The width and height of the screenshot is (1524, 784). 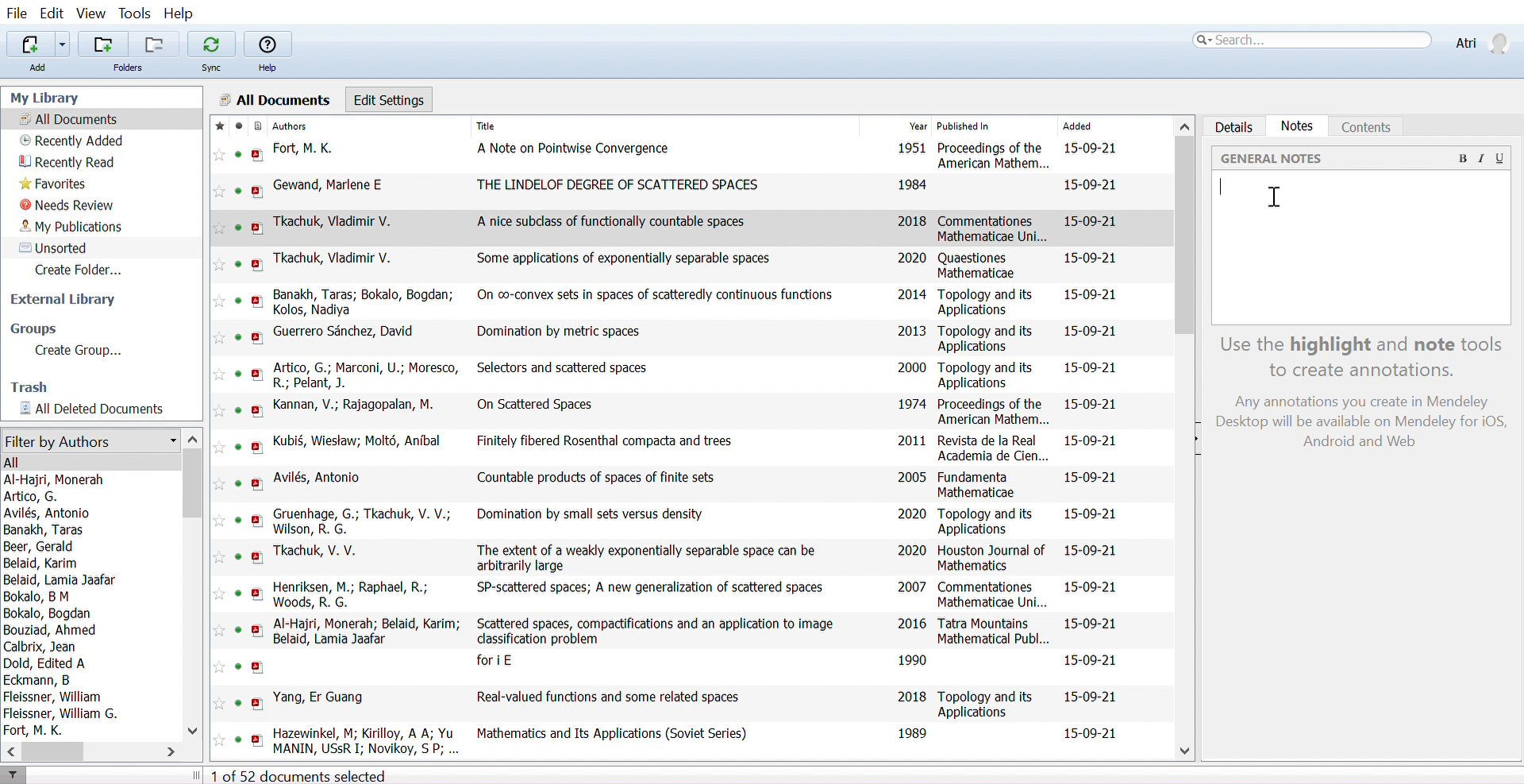 I want to click on Tkachuk, V. V., so click(x=318, y=549).